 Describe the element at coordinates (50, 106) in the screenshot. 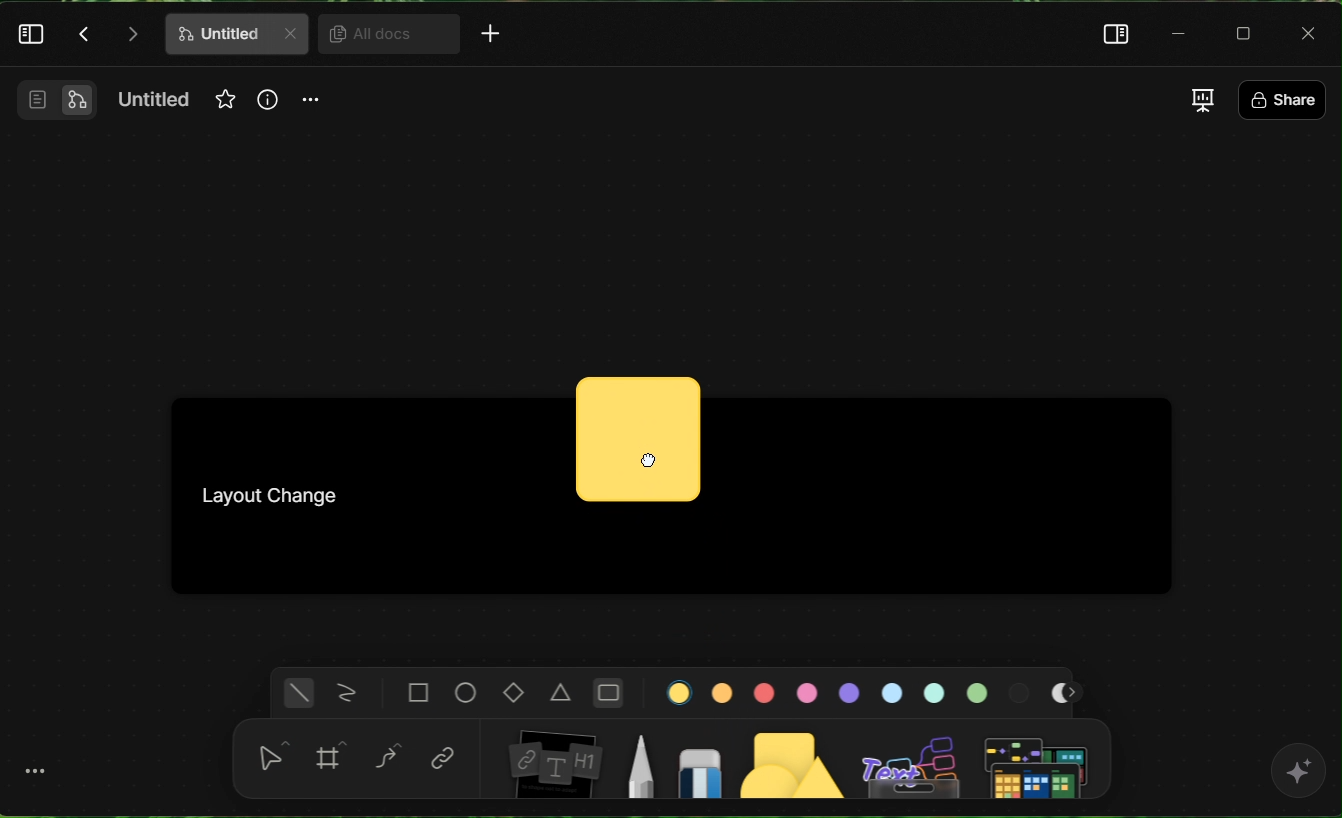

I see `Switch` at that location.